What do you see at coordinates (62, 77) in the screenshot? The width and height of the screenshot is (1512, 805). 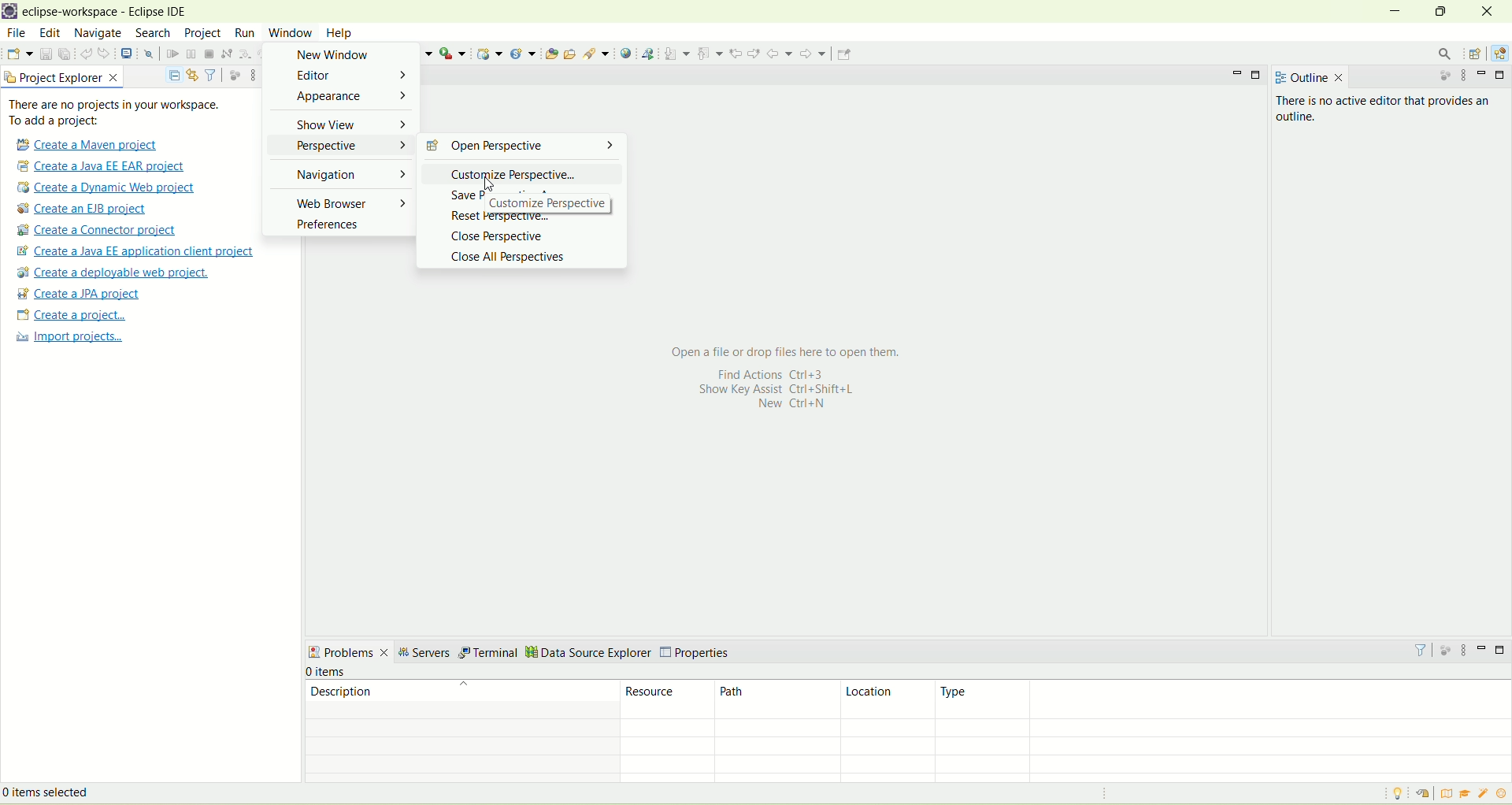 I see `project explorer` at bounding box center [62, 77].